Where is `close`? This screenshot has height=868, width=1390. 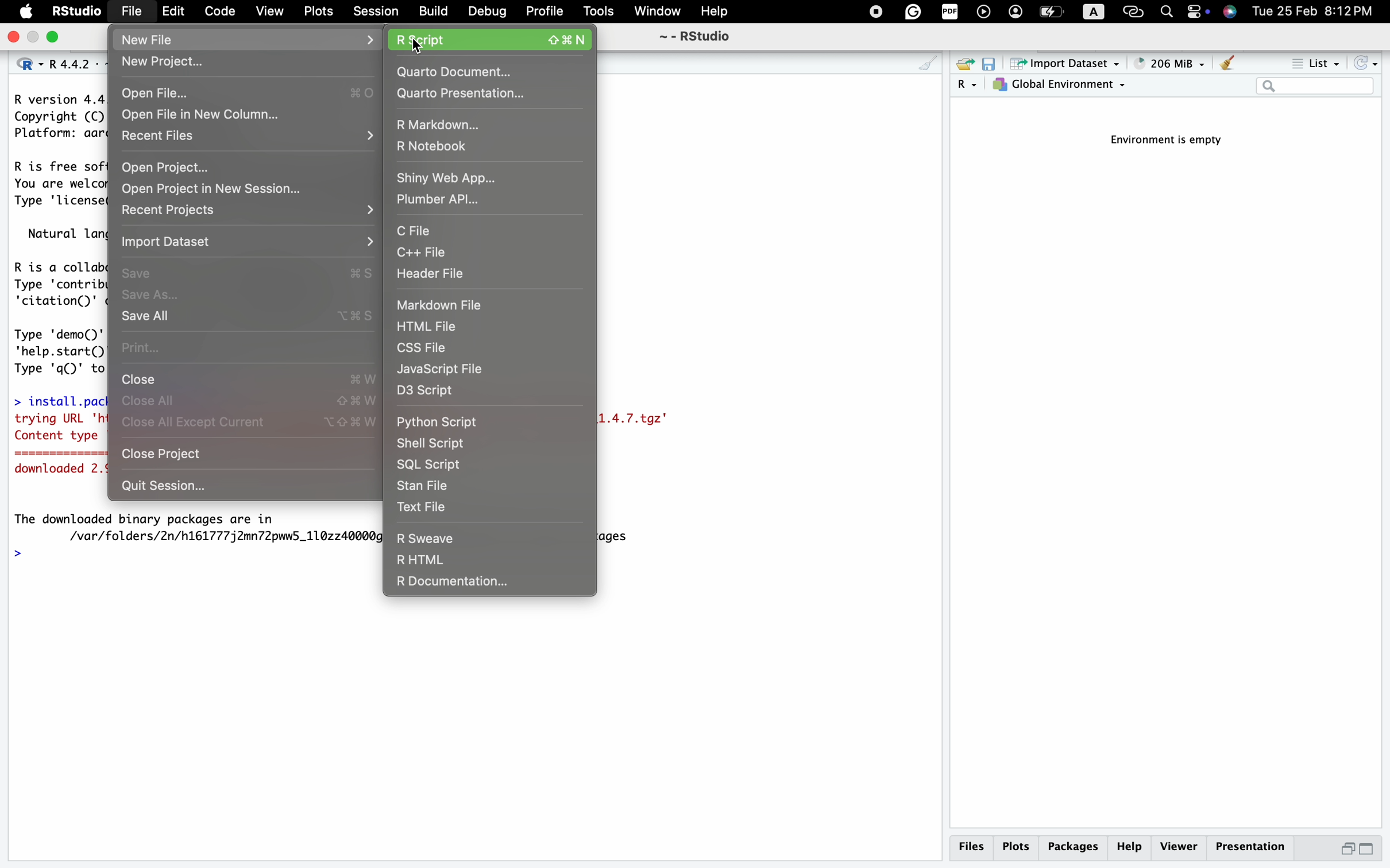 close is located at coordinates (250, 378).